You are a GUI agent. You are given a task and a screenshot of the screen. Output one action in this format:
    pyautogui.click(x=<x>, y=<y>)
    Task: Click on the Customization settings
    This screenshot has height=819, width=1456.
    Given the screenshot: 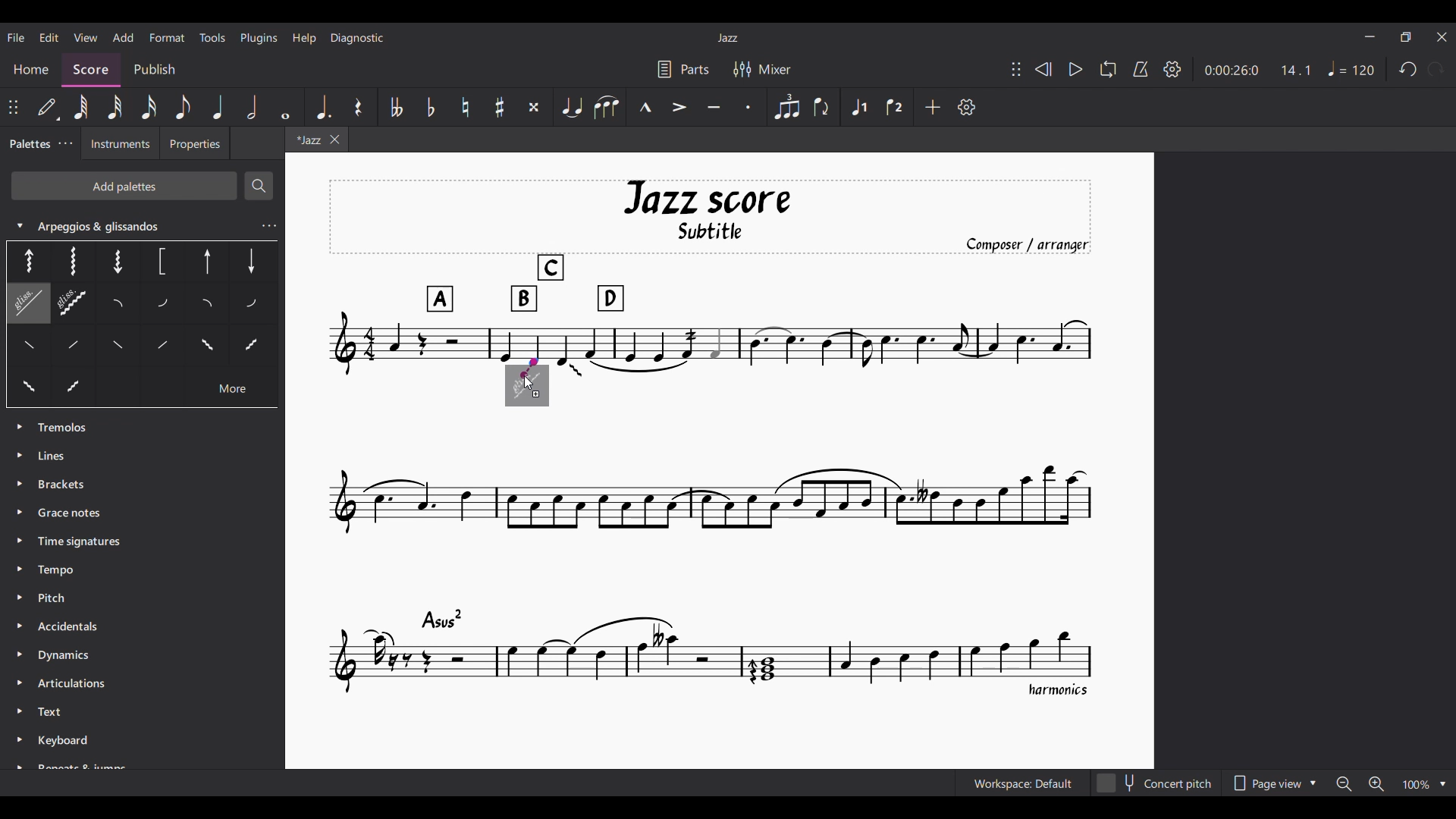 What is the action you would take?
    pyautogui.click(x=967, y=107)
    